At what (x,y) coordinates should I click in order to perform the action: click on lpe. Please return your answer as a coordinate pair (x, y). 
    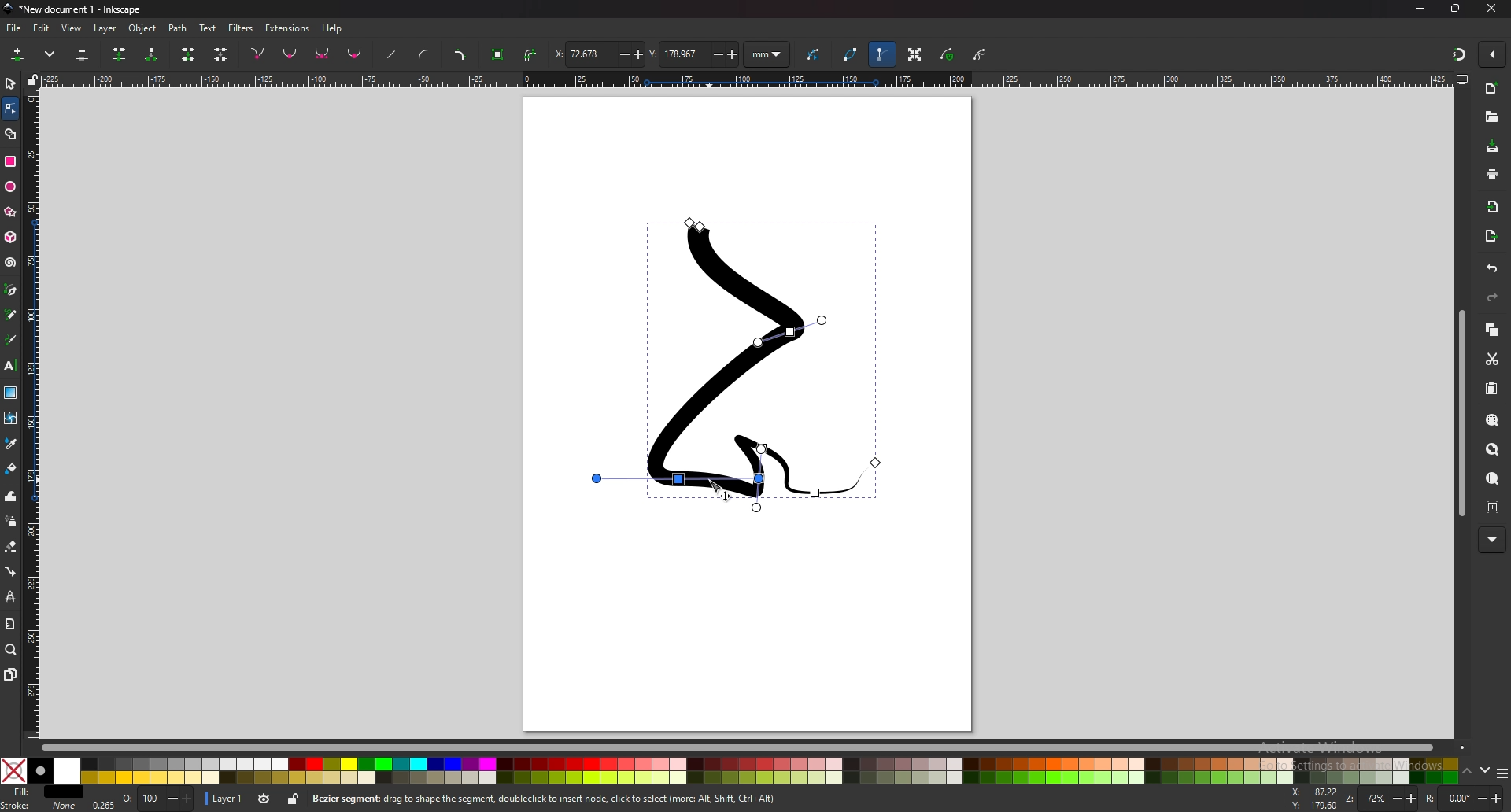
    Looking at the image, I should click on (10, 597).